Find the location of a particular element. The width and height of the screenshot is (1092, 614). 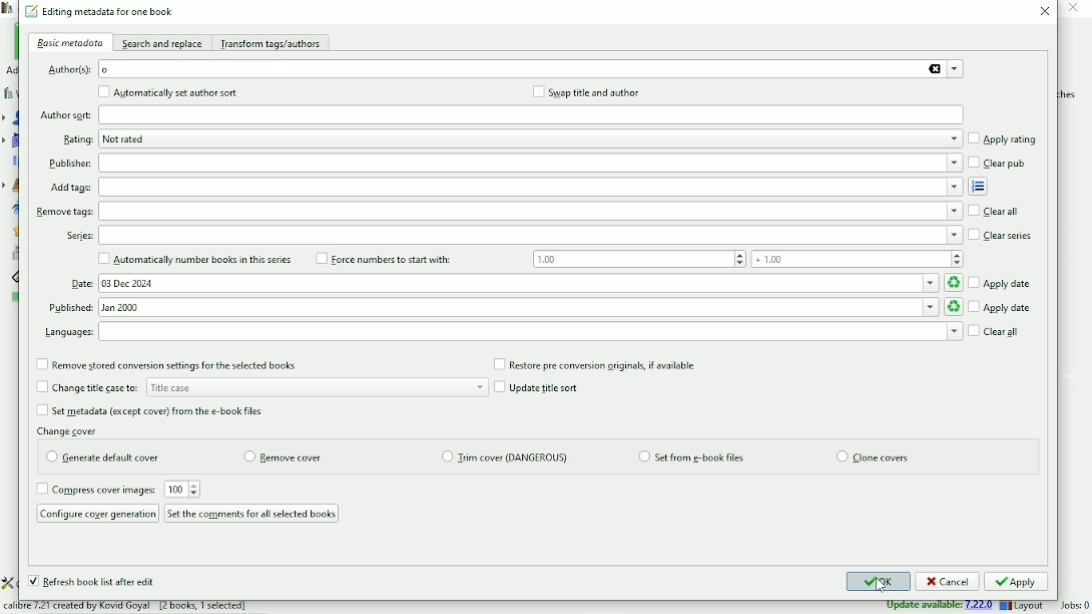

Swap title and author is located at coordinates (586, 92).